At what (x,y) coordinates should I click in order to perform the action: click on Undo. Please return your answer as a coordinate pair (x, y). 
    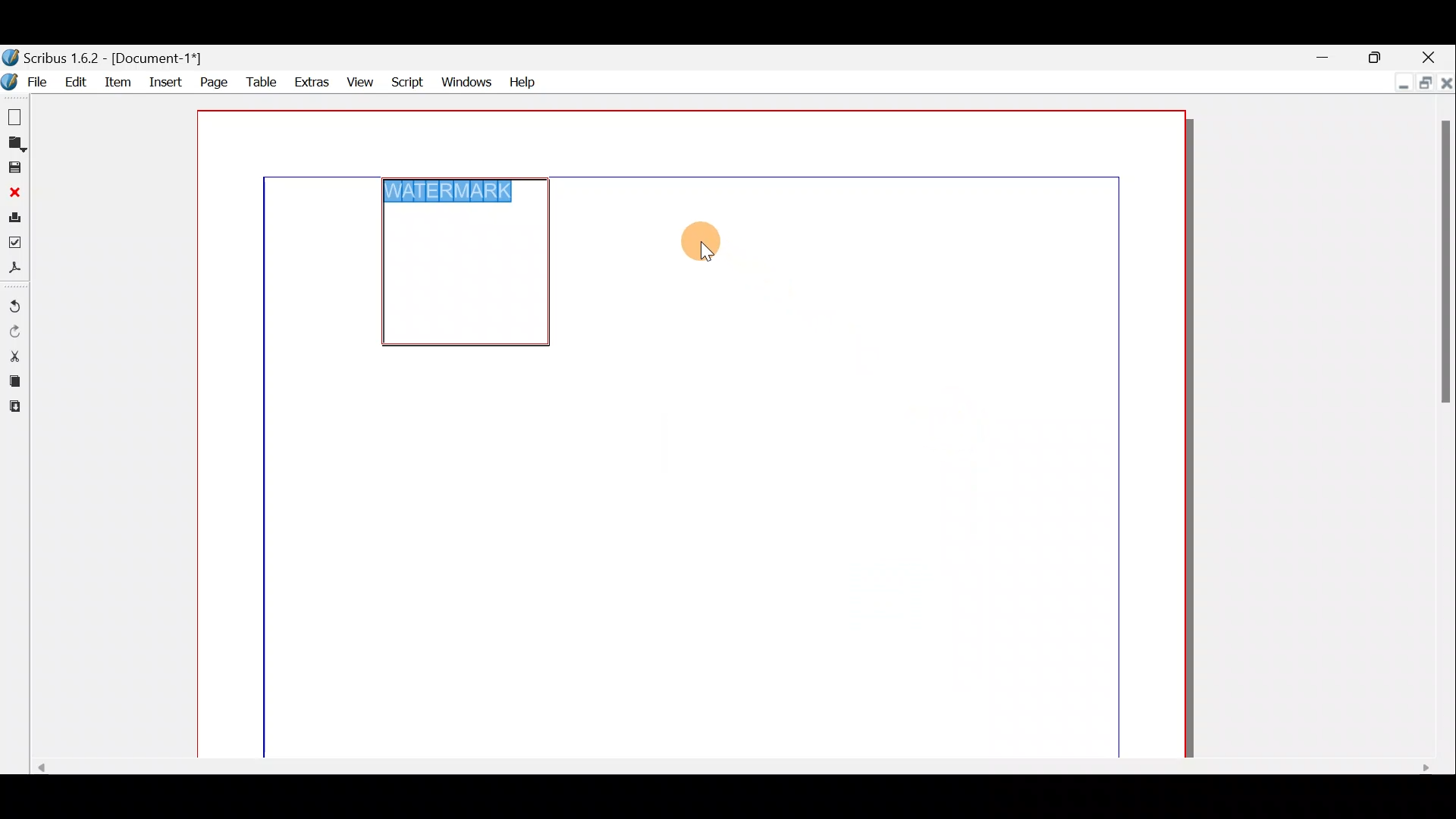
    Looking at the image, I should click on (14, 307).